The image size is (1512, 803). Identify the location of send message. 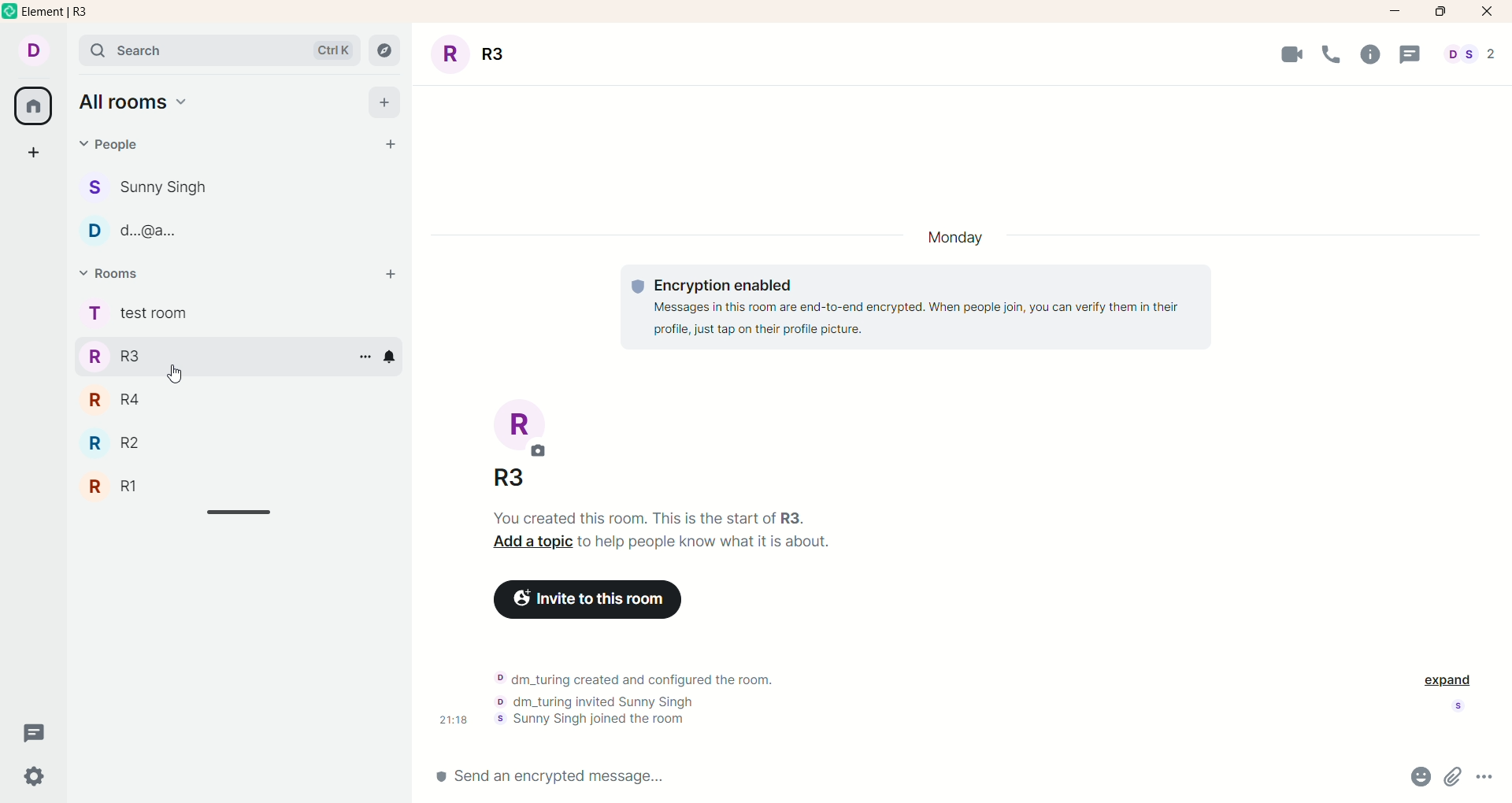
(636, 780).